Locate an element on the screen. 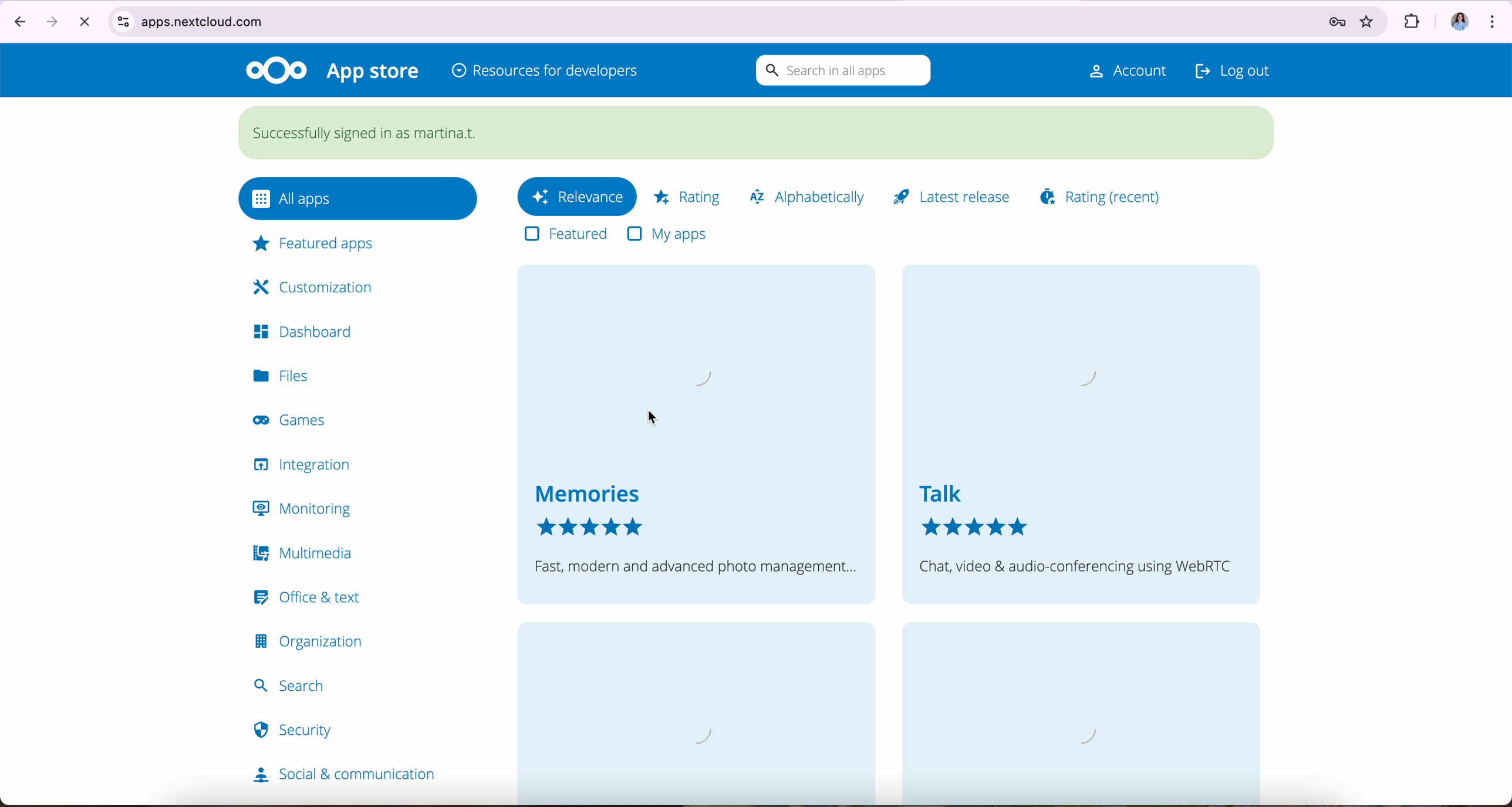  rating (recent) is located at coordinates (1103, 193).